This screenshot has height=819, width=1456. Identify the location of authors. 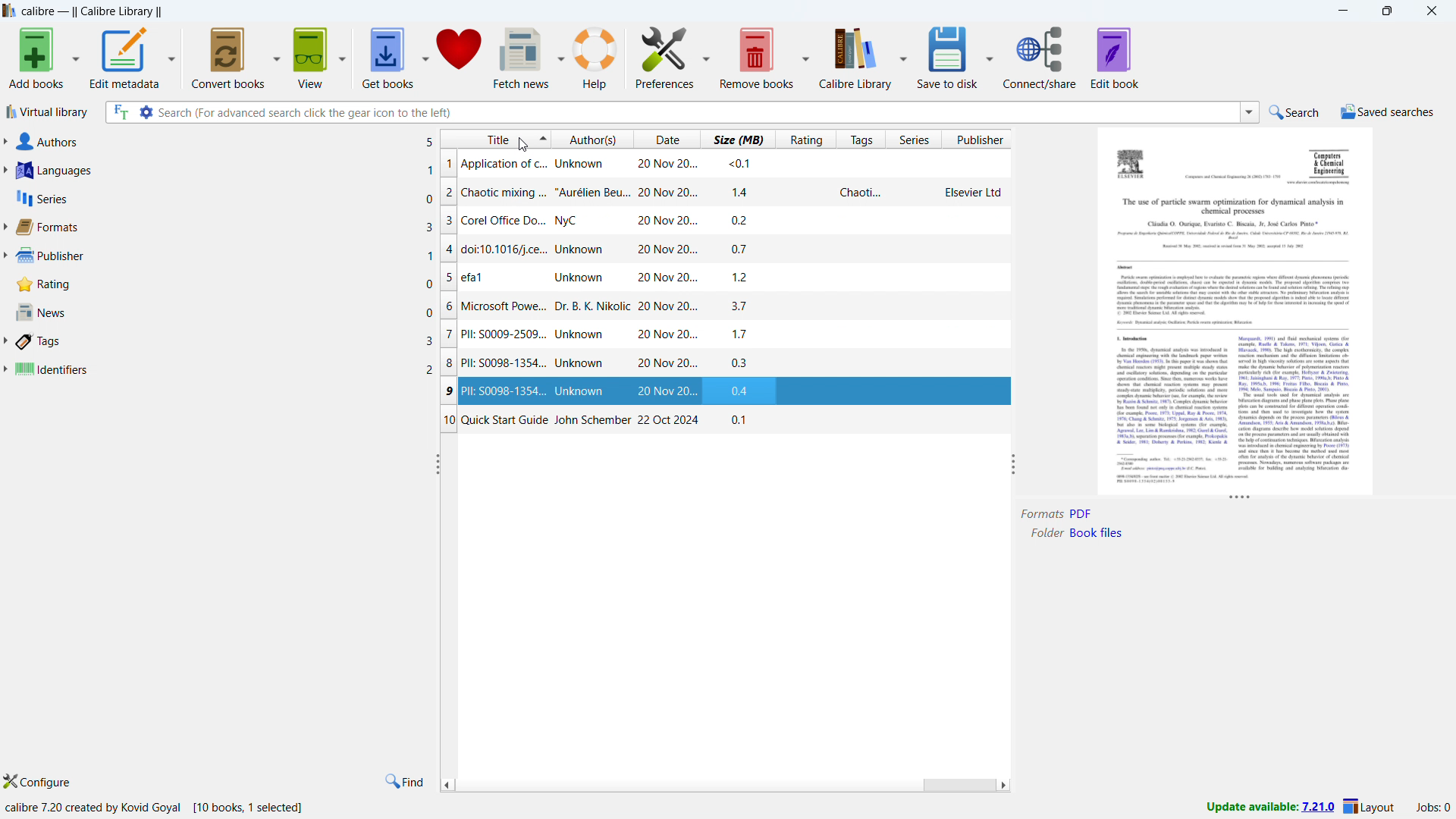
(225, 142).